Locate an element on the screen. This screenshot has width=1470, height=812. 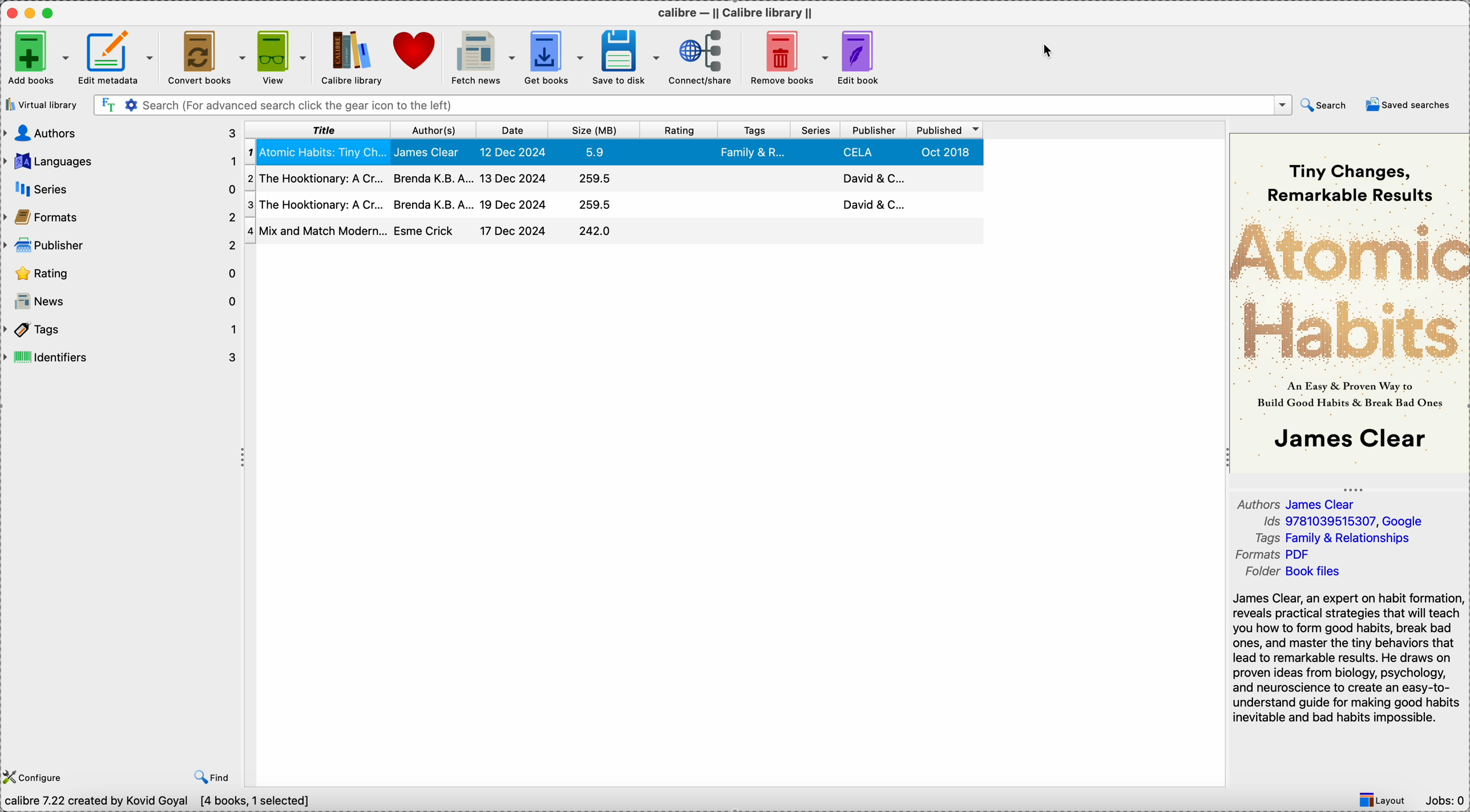
hide is located at coordinates (1352, 487).